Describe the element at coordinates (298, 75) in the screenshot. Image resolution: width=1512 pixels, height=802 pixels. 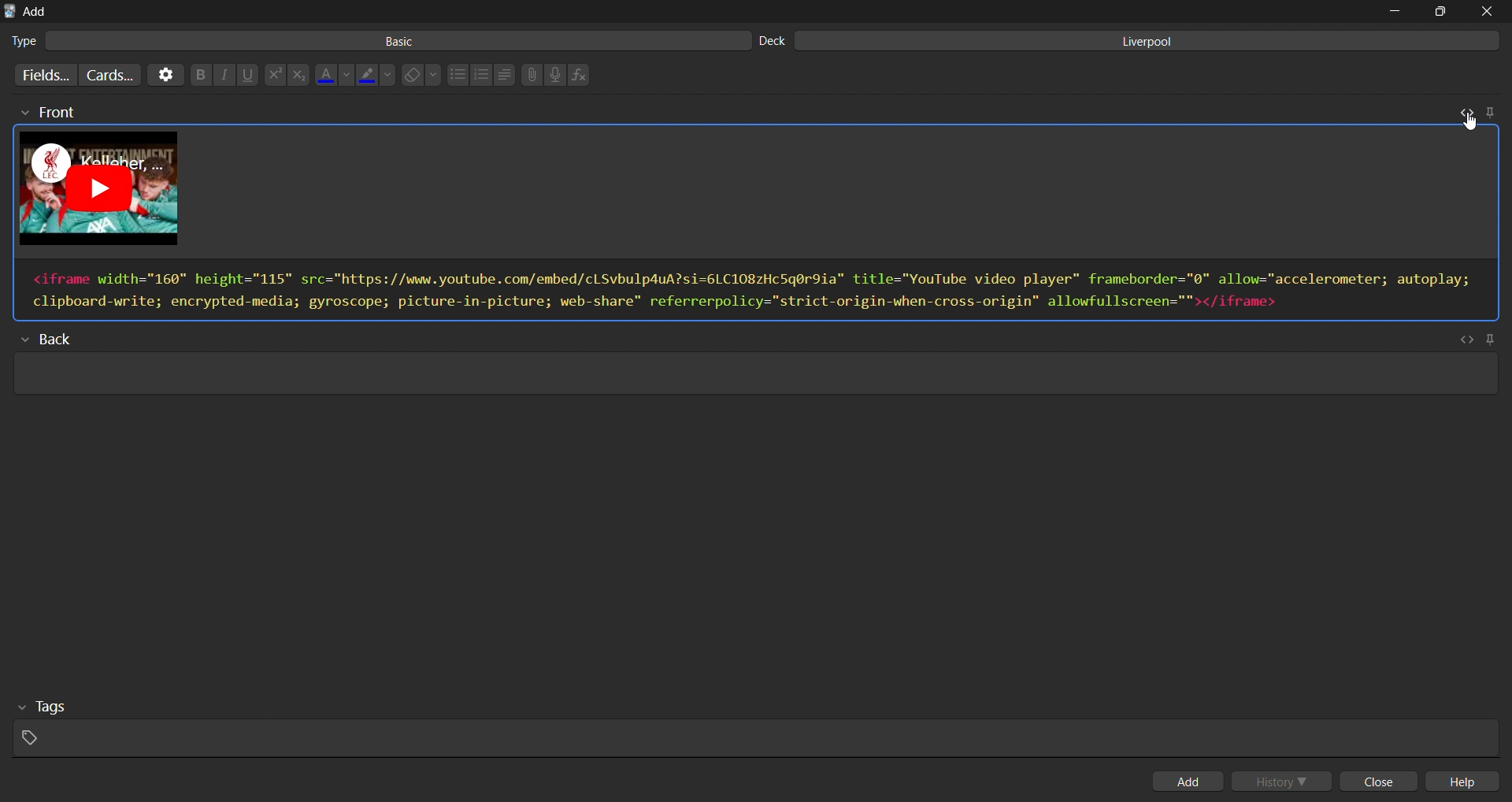
I see `subscript` at that location.